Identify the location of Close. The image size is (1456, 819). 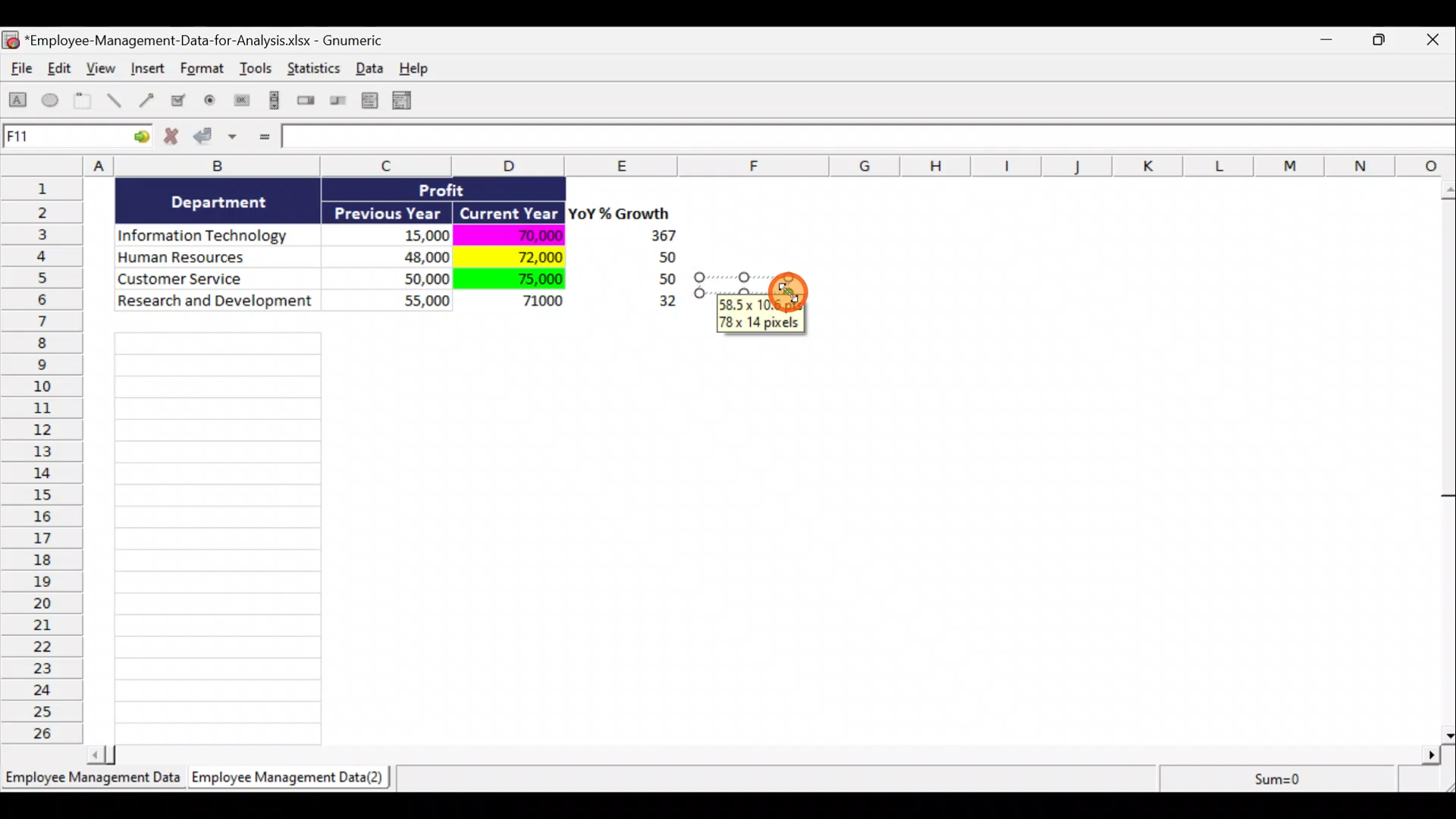
(1436, 41).